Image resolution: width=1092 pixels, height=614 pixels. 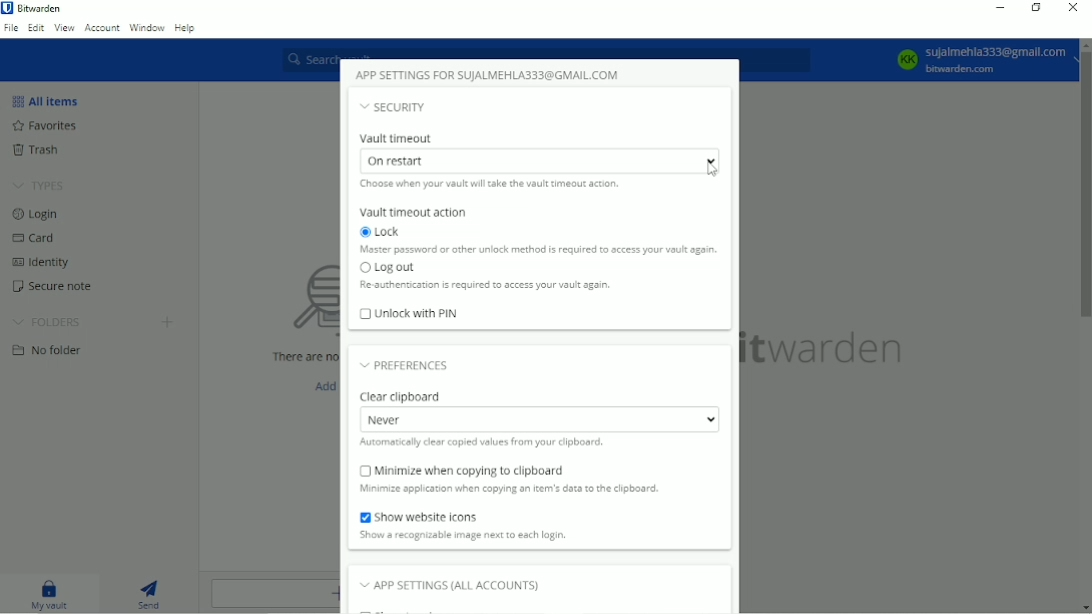 What do you see at coordinates (484, 535) in the screenshot?
I see `Show a recognizable image next to each login` at bounding box center [484, 535].